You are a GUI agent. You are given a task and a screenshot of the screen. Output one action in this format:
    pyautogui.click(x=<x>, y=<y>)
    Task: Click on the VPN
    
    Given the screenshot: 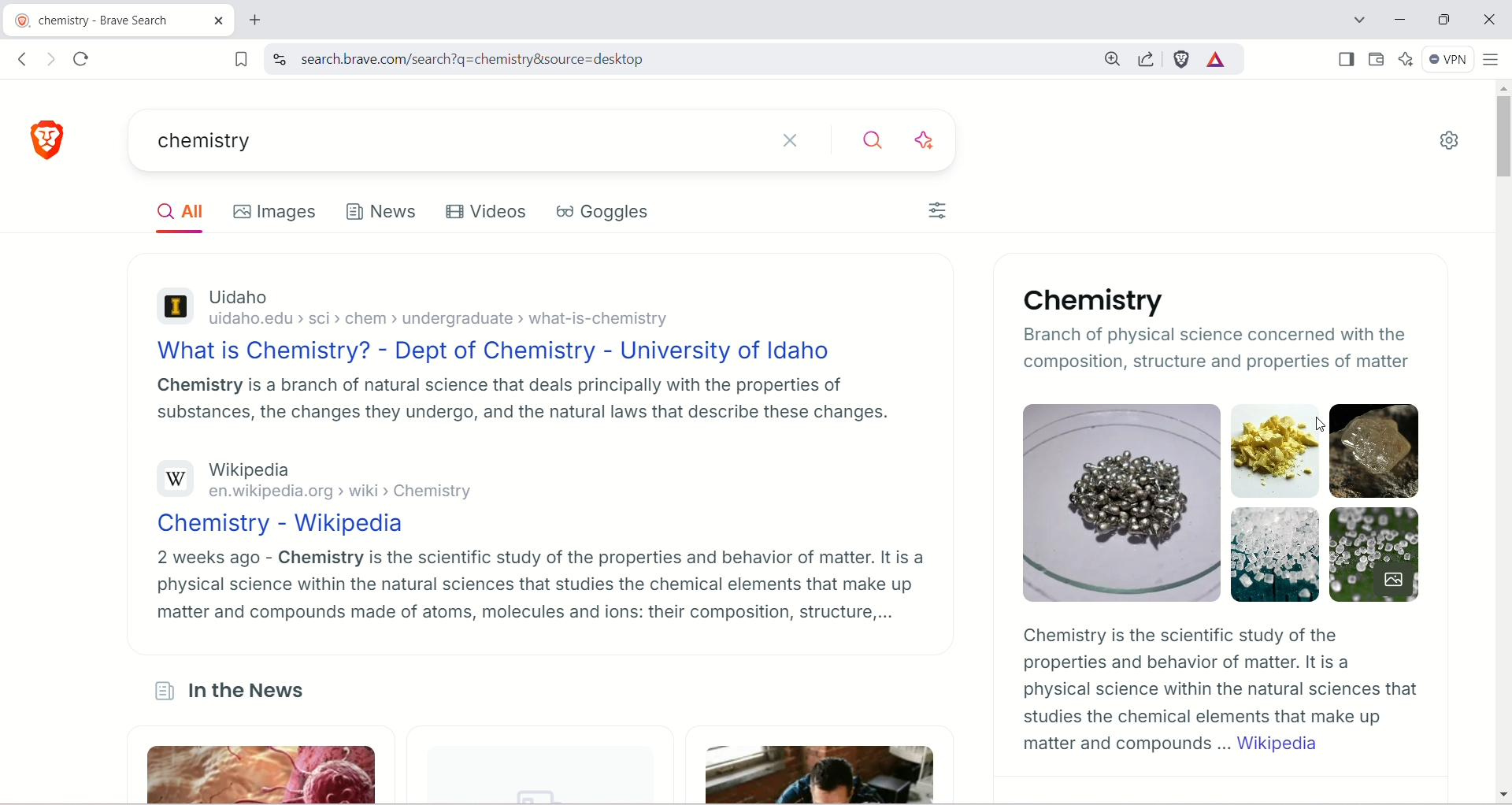 What is the action you would take?
    pyautogui.click(x=1447, y=61)
    